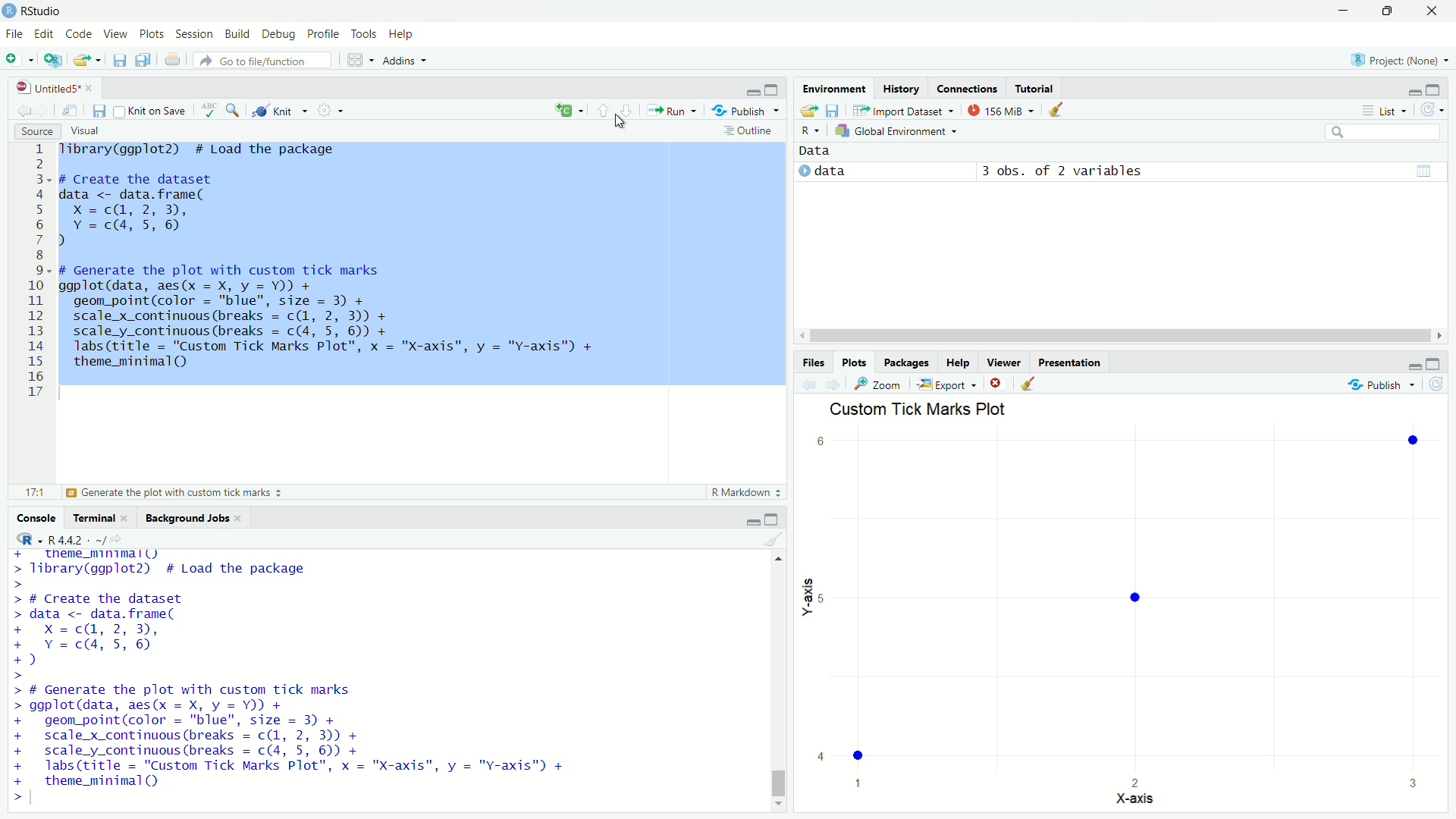 The width and height of the screenshot is (1456, 819). What do you see at coordinates (836, 171) in the screenshot?
I see `data` at bounding box center [836, 171].